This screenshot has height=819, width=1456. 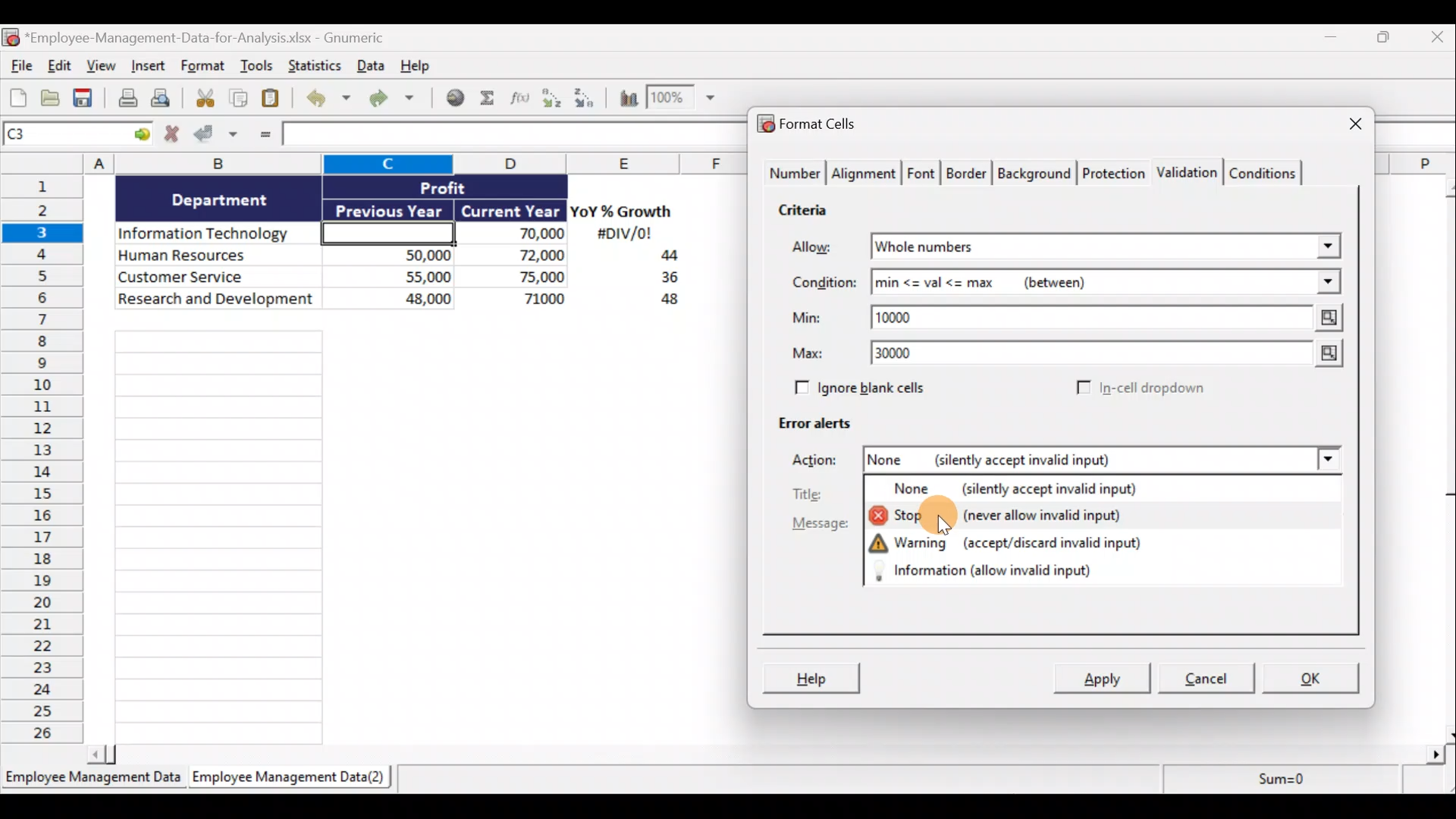 I want to click on Print preview, so click(x=169, y=102).